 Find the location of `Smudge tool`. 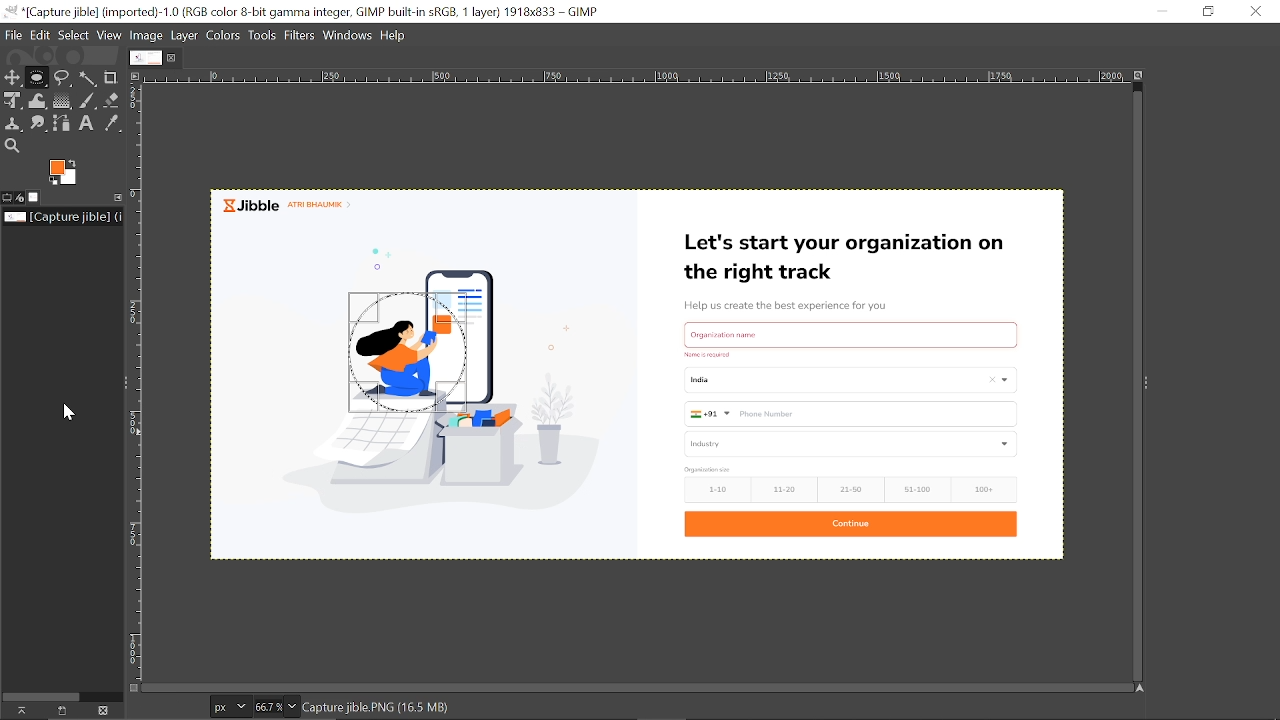

Smudge tool is located at coordinates (40, 123).